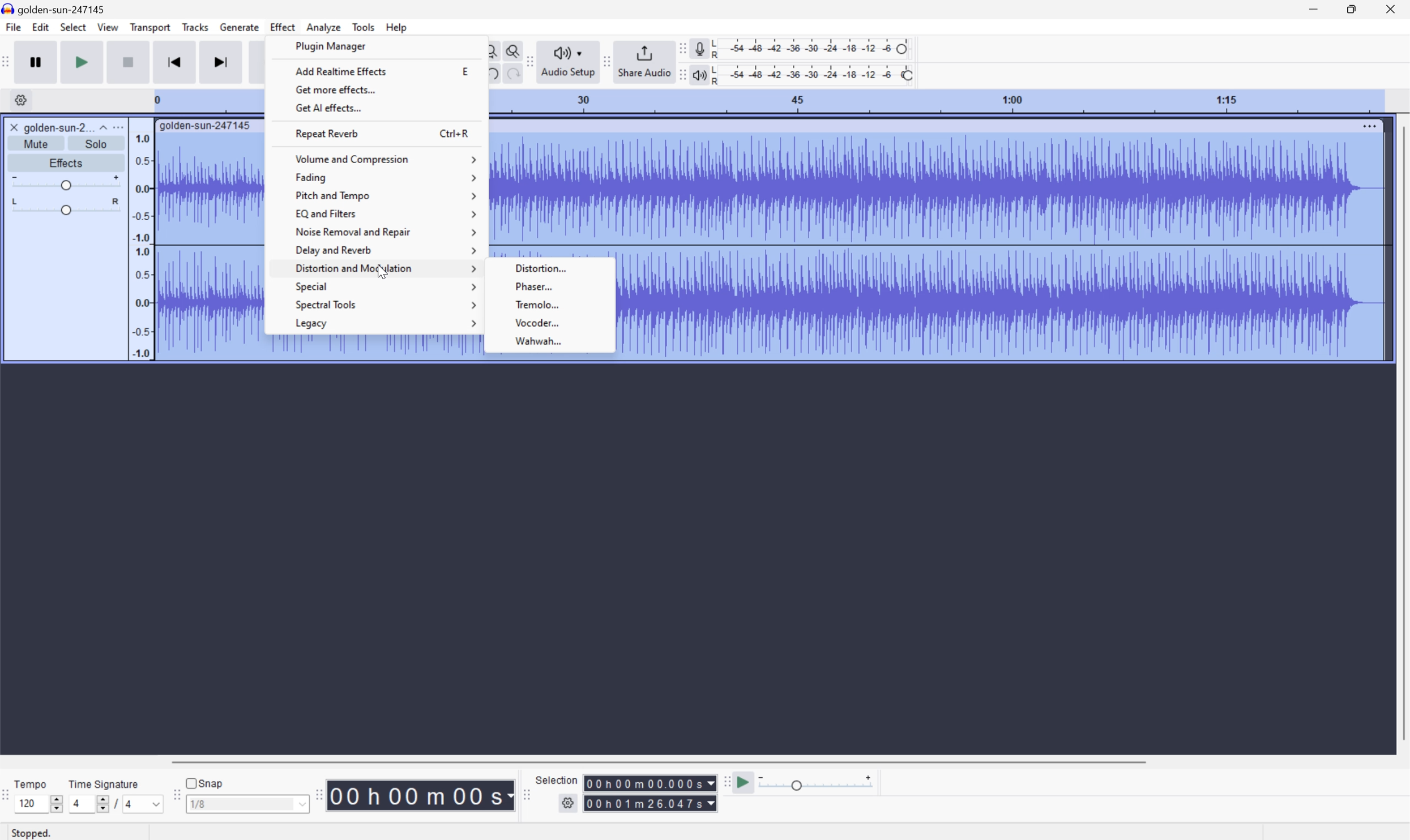 This screenshot has width=1410, height=840. I want to click on Volume and compression, so click(385, 156).